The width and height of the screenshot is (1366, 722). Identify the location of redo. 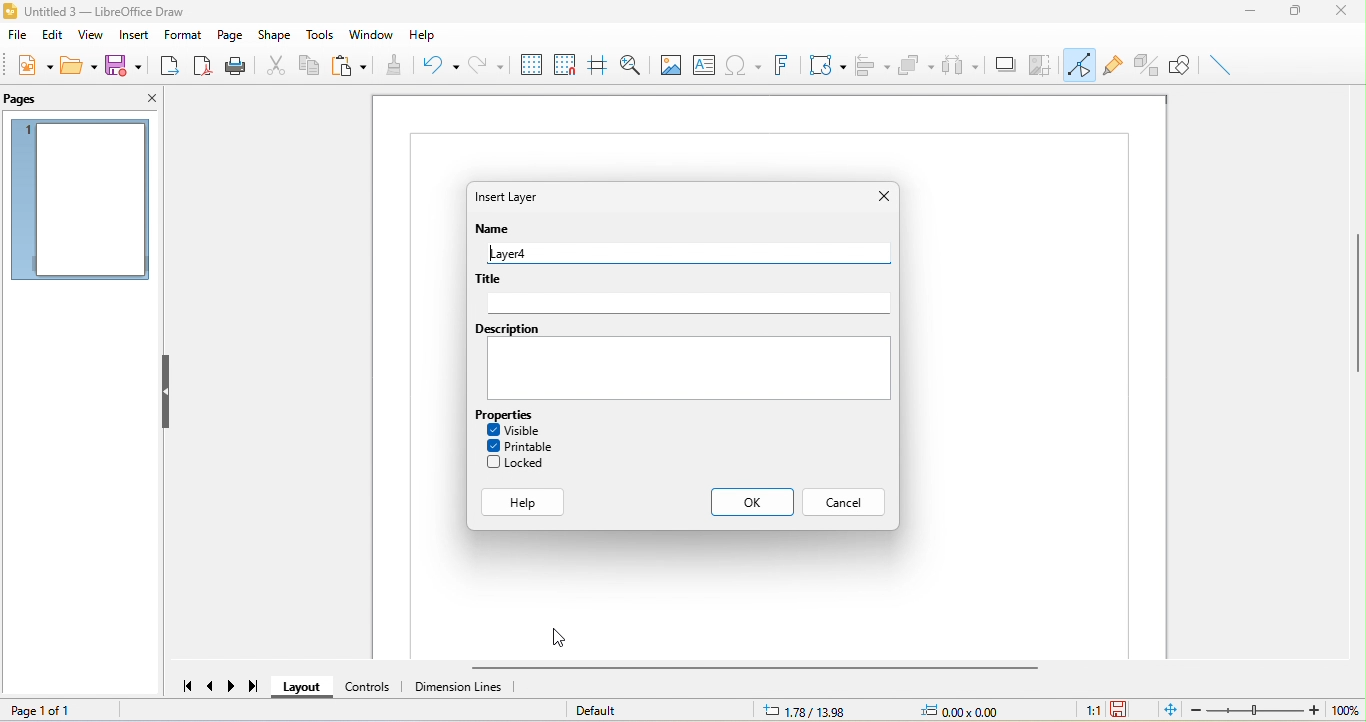
(485, 63).